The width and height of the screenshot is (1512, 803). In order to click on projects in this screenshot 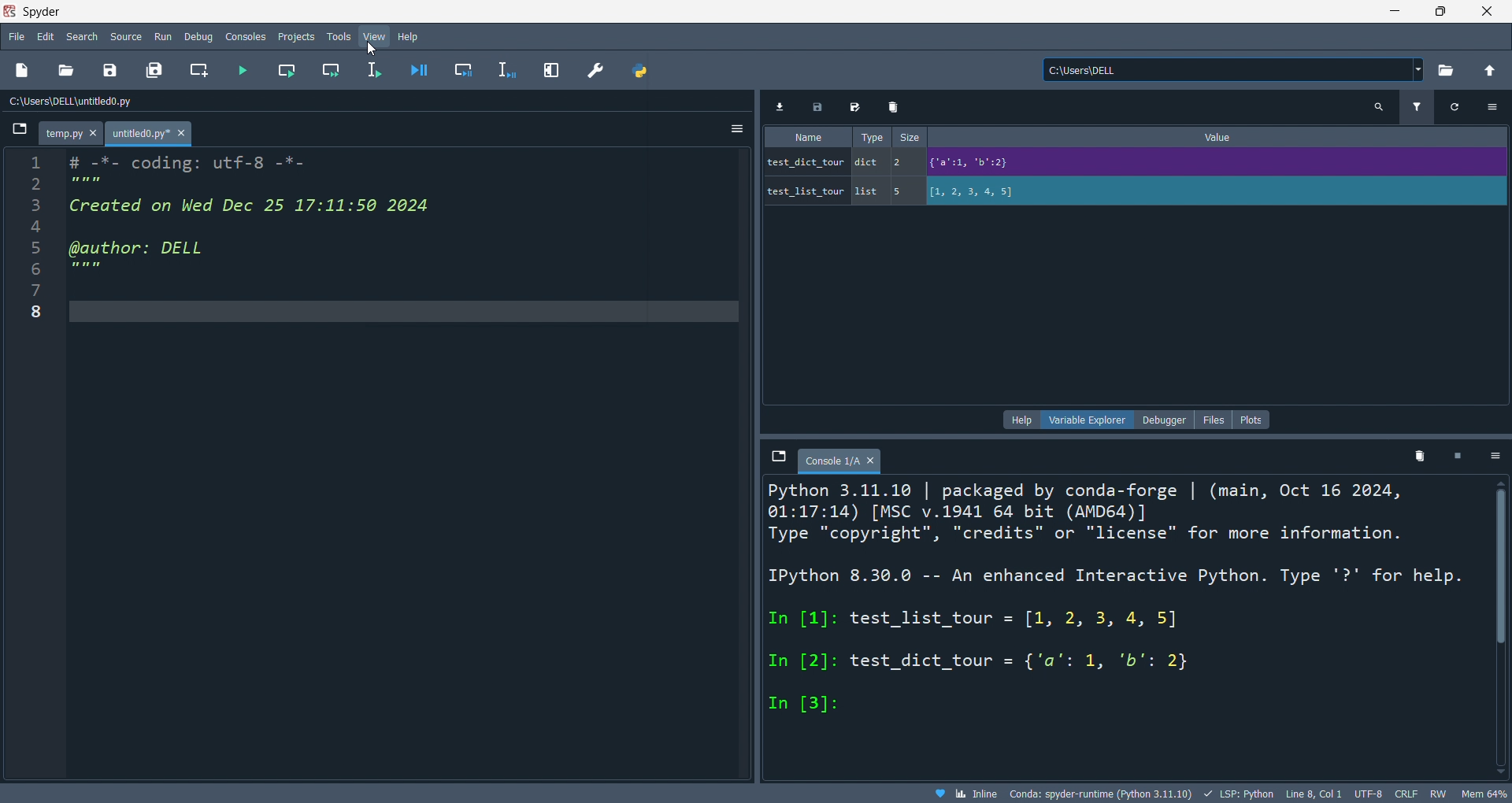, I will do `click(295, 35)`.